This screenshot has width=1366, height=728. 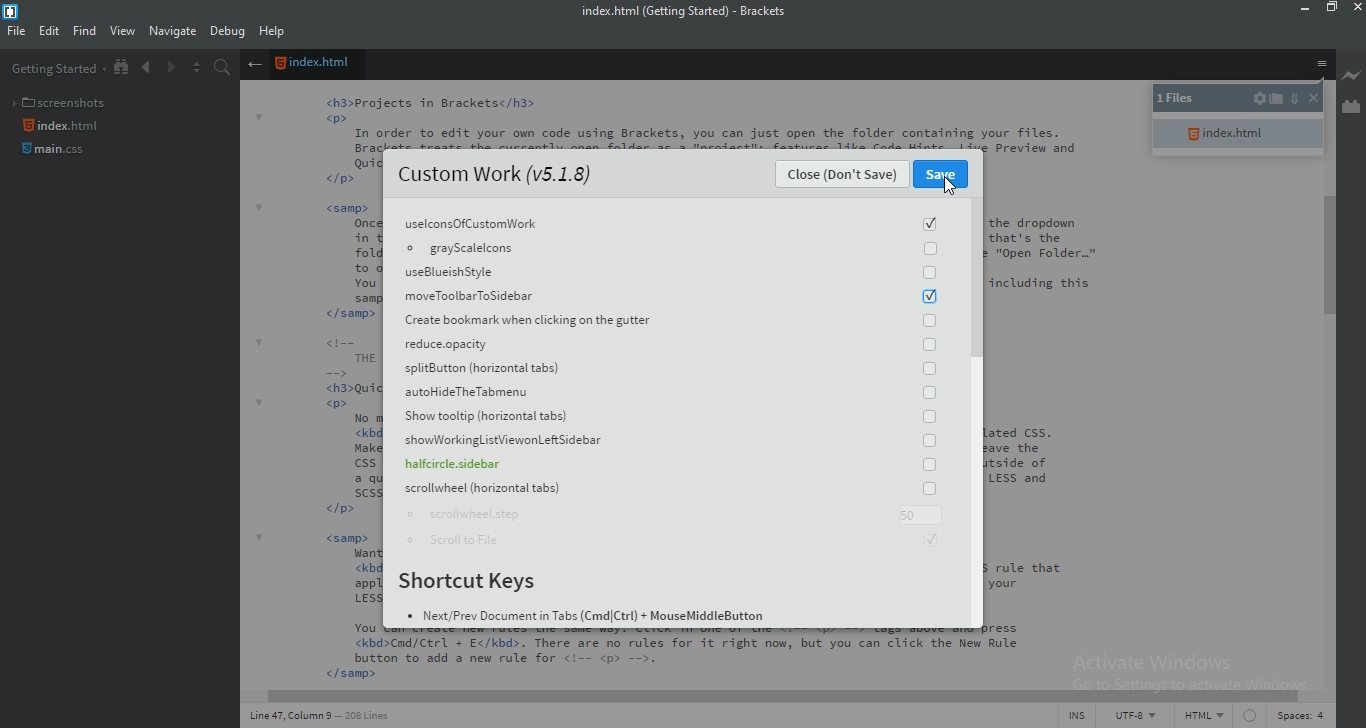 What do you see at coordinates (1279, 102) in the screenshot?
I see `open folder` at bounding box center [1279, 102].